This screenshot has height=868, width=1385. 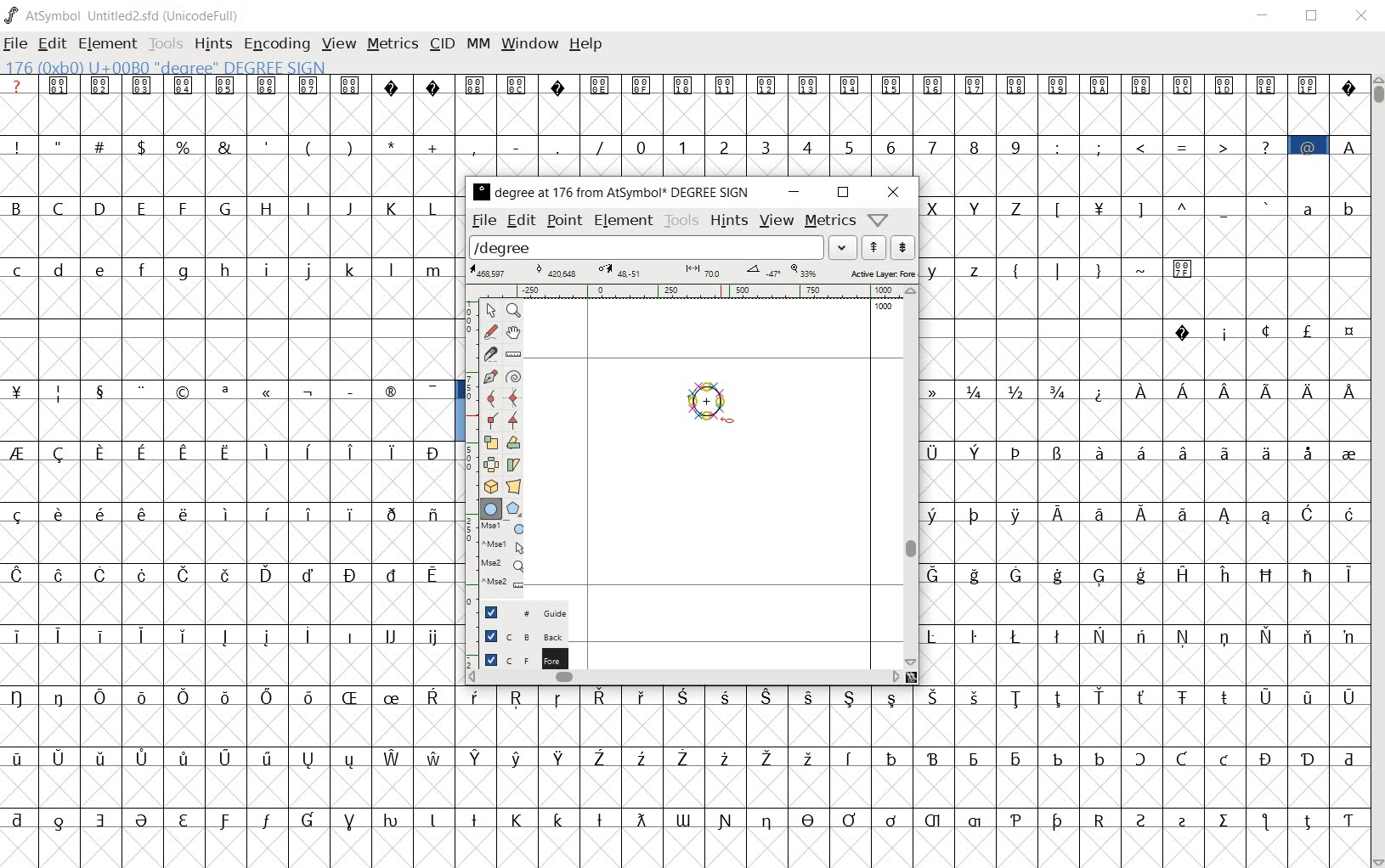 What do you see at coordinates (512, 420) in the screenshot?
I see `Add a corner point` at bounding box center [512, 420].